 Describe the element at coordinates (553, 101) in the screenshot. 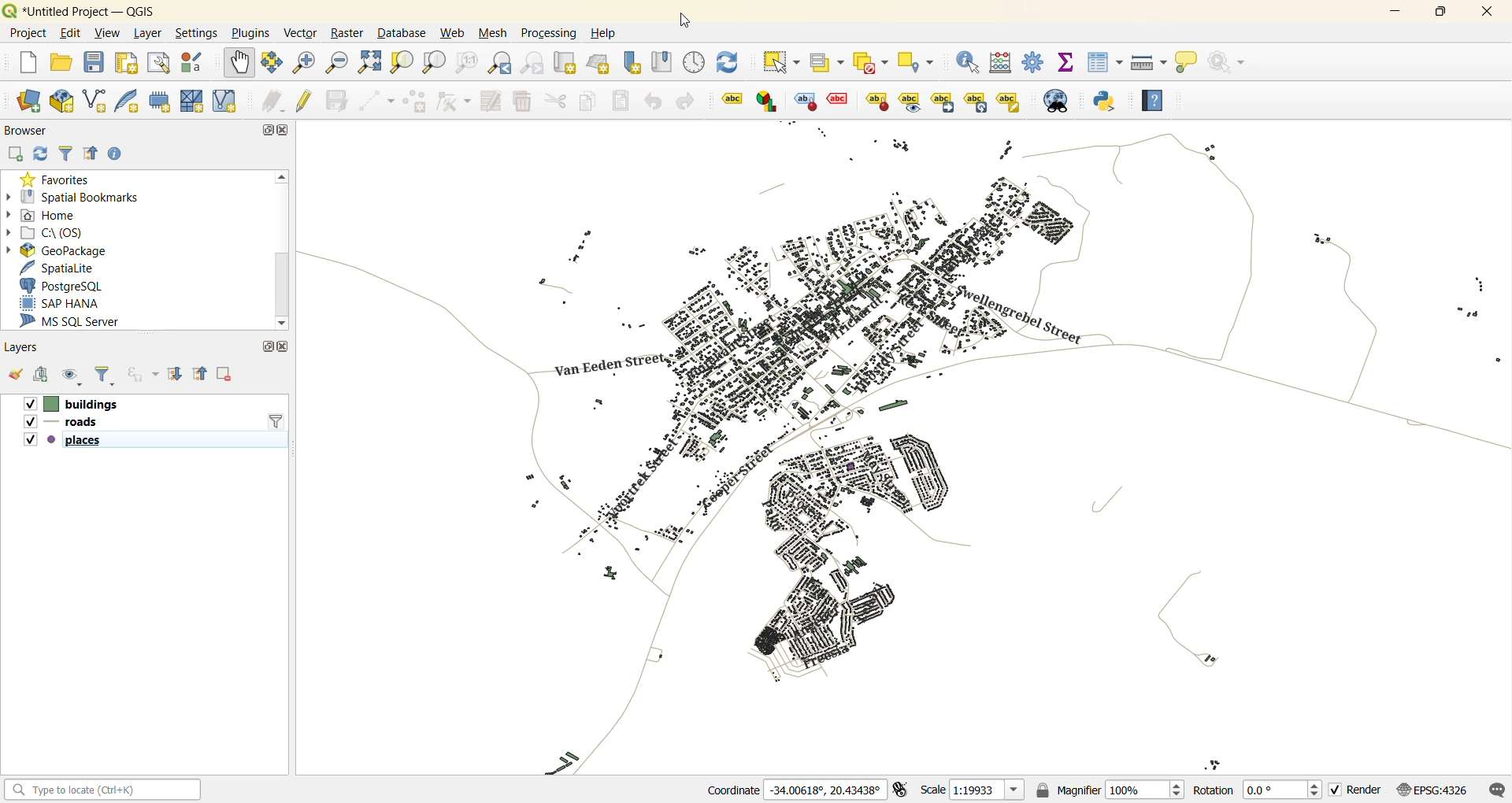

I see `cut` at that location.